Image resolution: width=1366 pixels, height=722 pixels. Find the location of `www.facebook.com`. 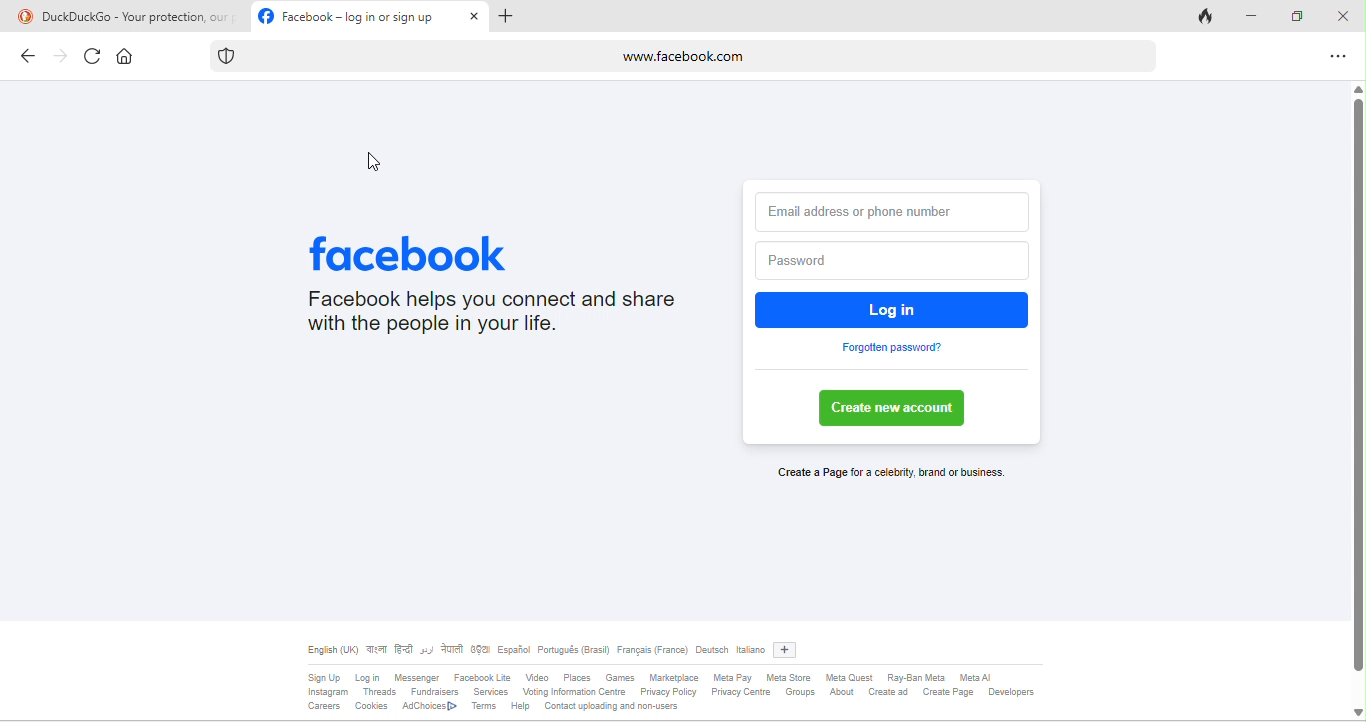

www.facebook.com is located at coordinates (707, 56).